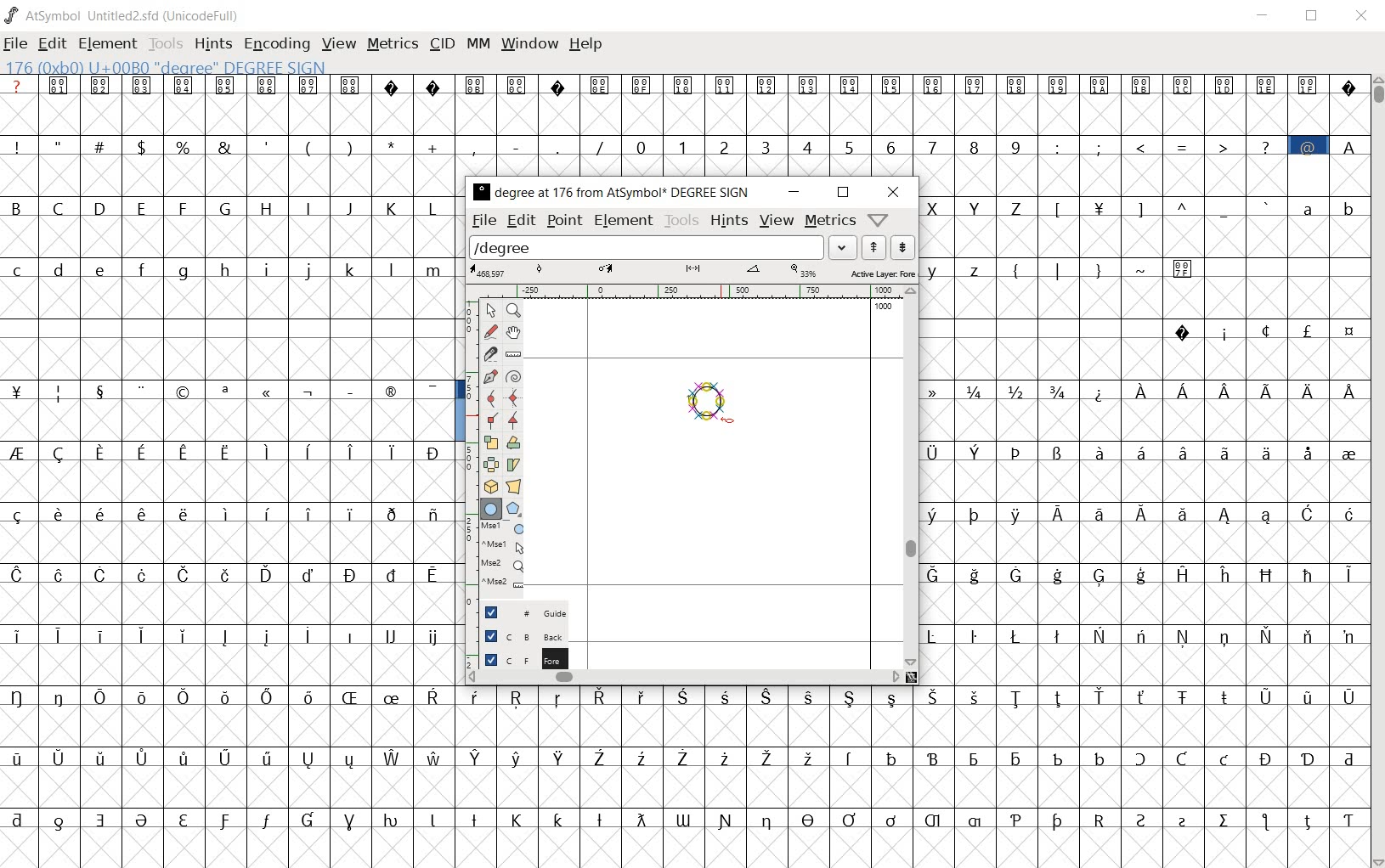 The image size is (1385, 868). I want to click on AtSymbol Untitled2.sfd (UnicodeFull), so click(126, 15).